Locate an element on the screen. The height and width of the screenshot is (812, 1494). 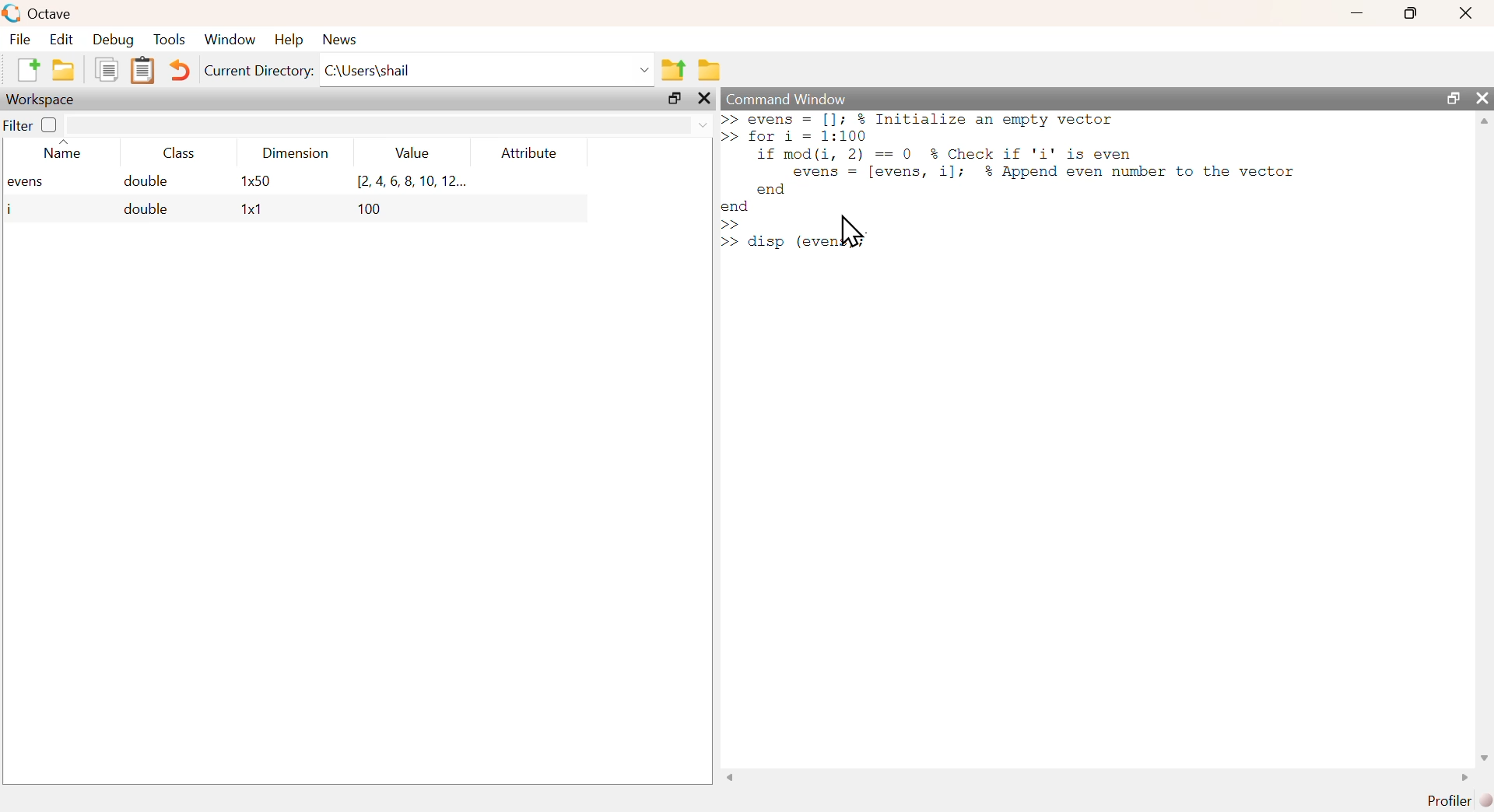
news is located at coordinates (342, 38).